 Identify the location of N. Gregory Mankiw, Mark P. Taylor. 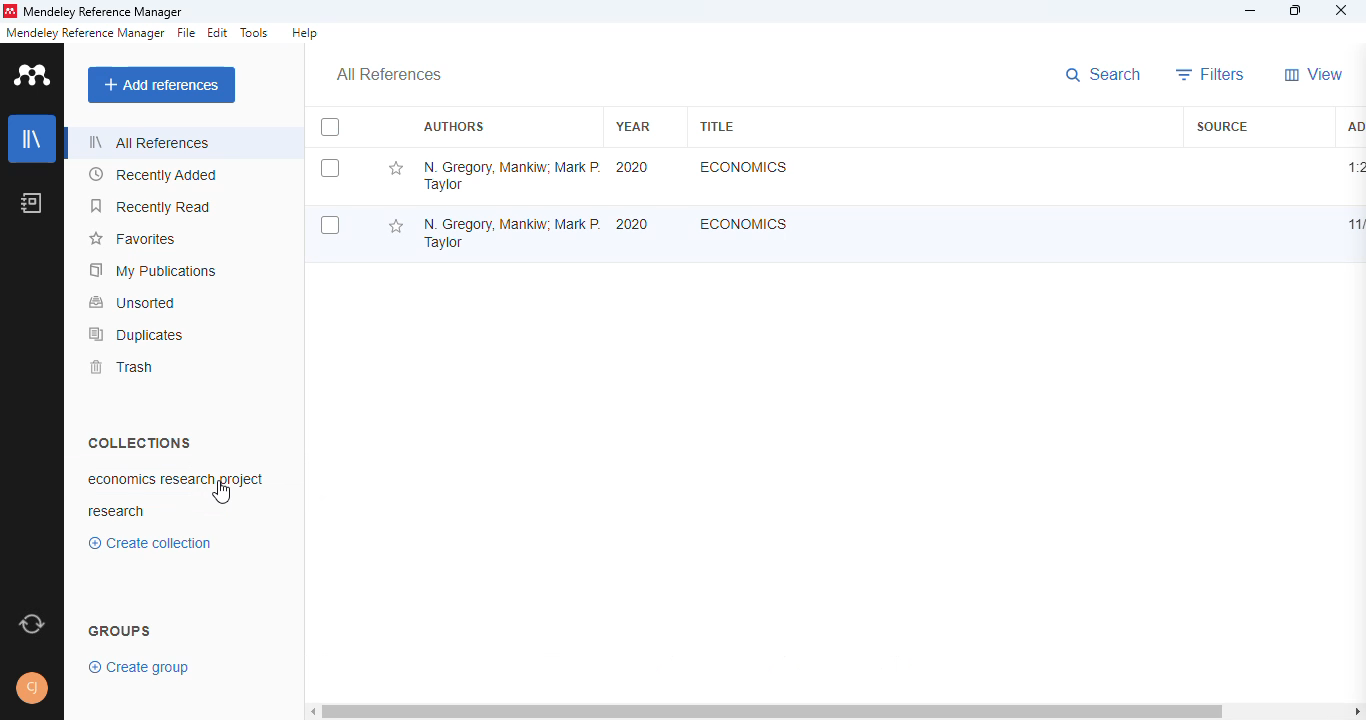
(511, 175).